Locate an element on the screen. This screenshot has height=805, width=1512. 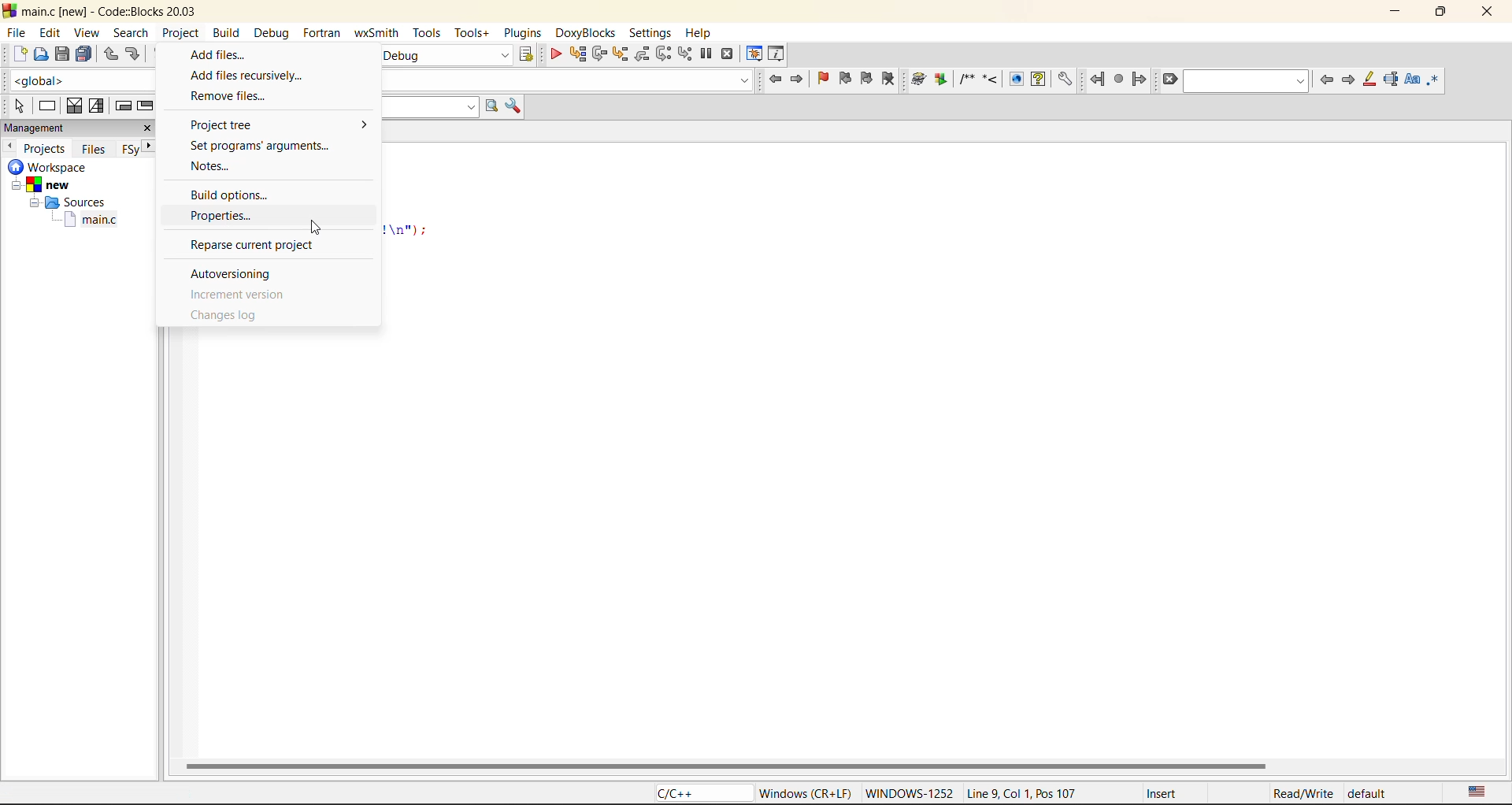
select is located at coordinates (18, 106).